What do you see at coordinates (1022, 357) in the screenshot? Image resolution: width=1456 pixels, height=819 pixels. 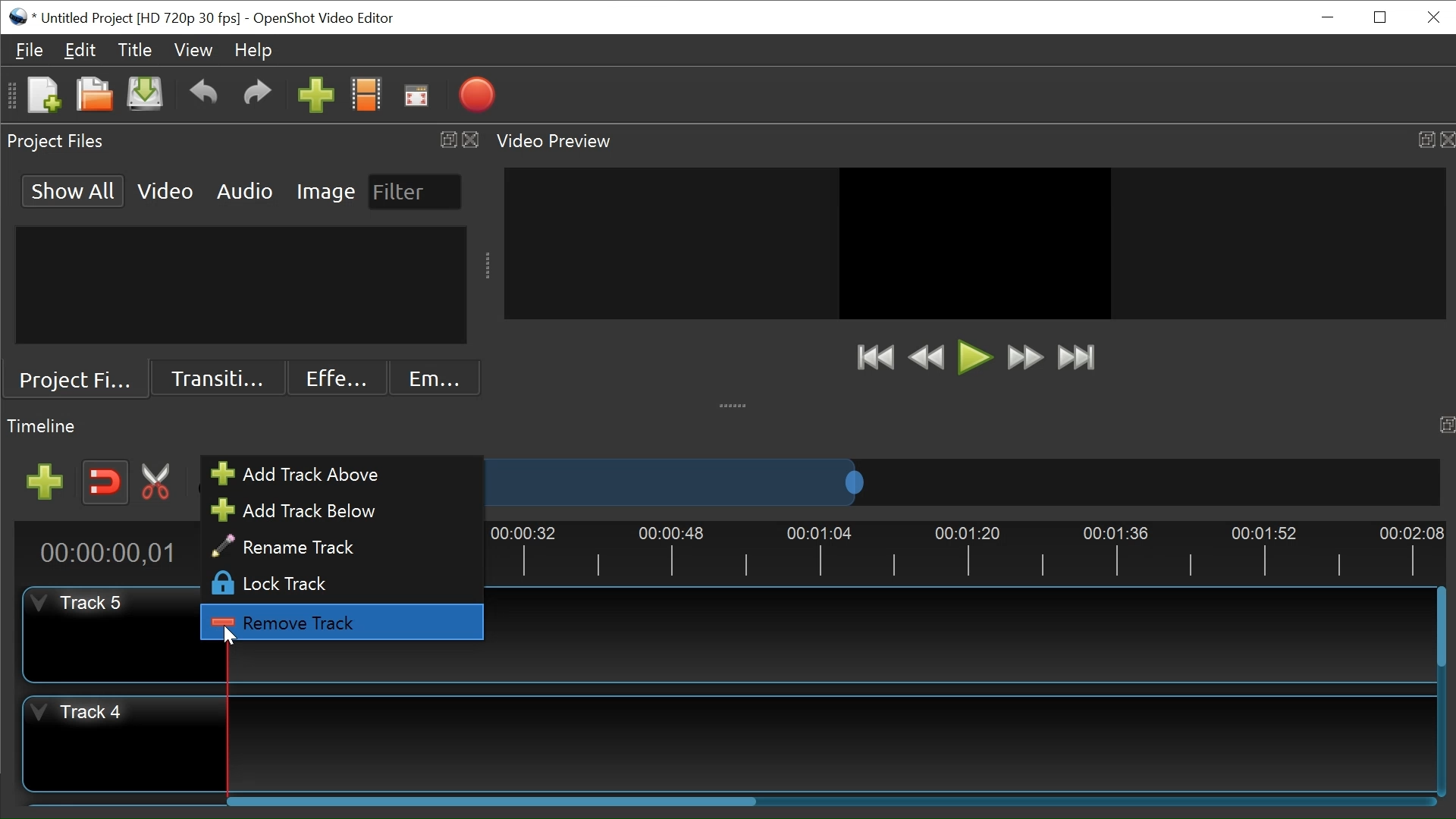 I see `Fast Forward` at bounding box center [1022, 357].